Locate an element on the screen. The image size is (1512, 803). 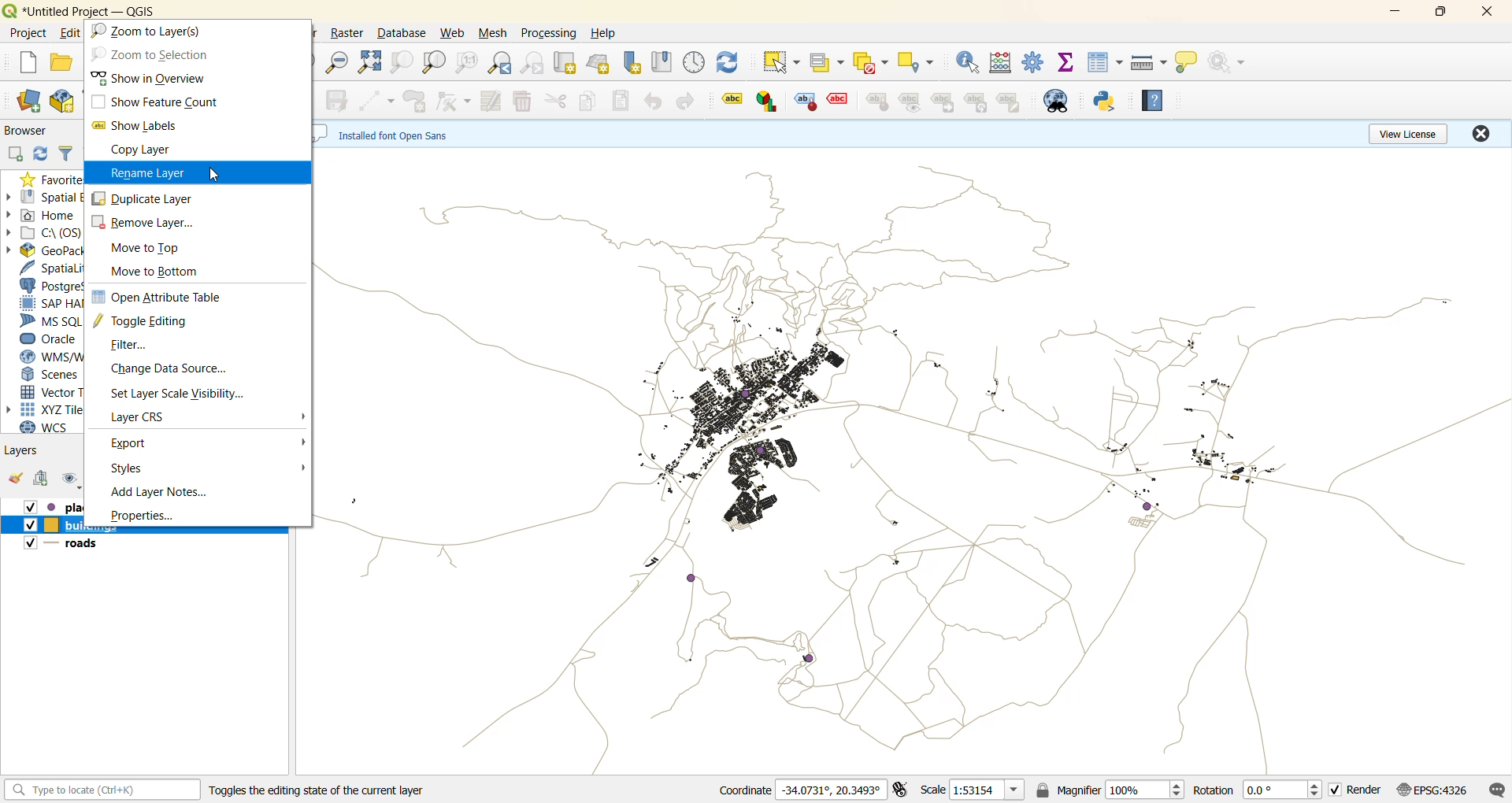
show labels is located at coordinates (139, 127).